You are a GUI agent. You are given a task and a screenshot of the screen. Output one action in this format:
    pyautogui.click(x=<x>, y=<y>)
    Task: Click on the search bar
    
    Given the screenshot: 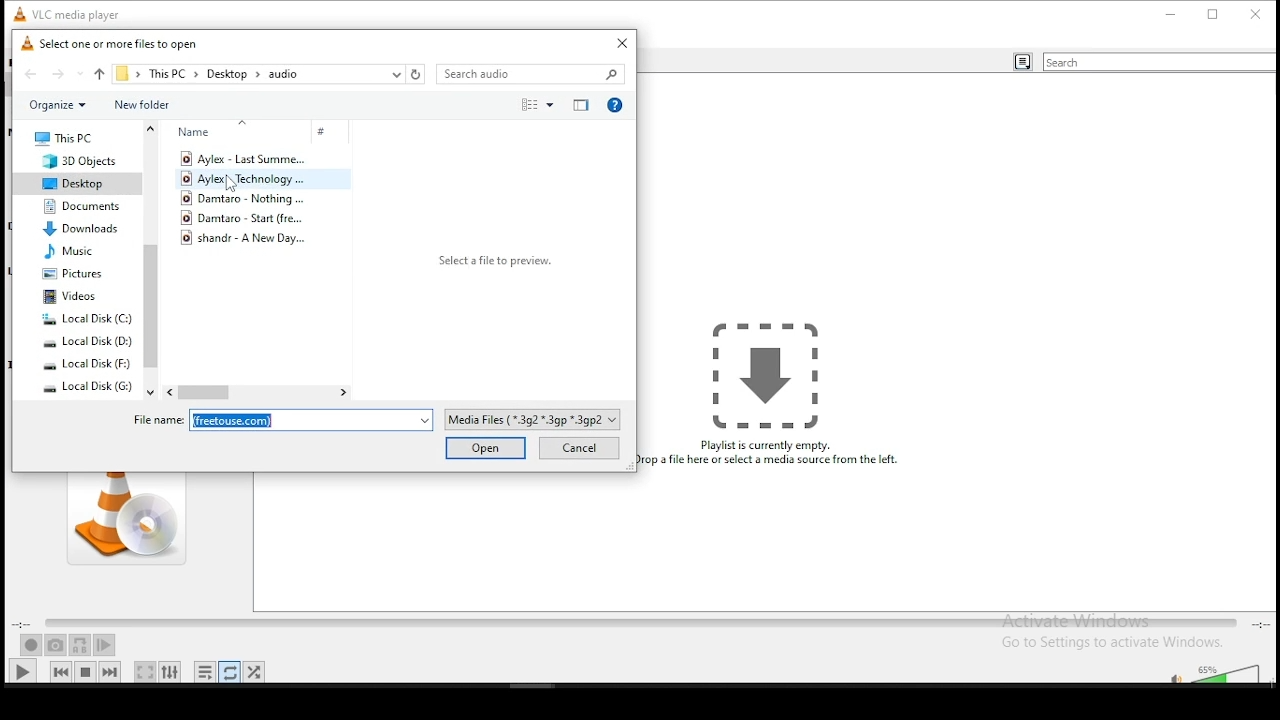 What is the action you would take?
    pyautogui.click(x=1159, y=62)
    